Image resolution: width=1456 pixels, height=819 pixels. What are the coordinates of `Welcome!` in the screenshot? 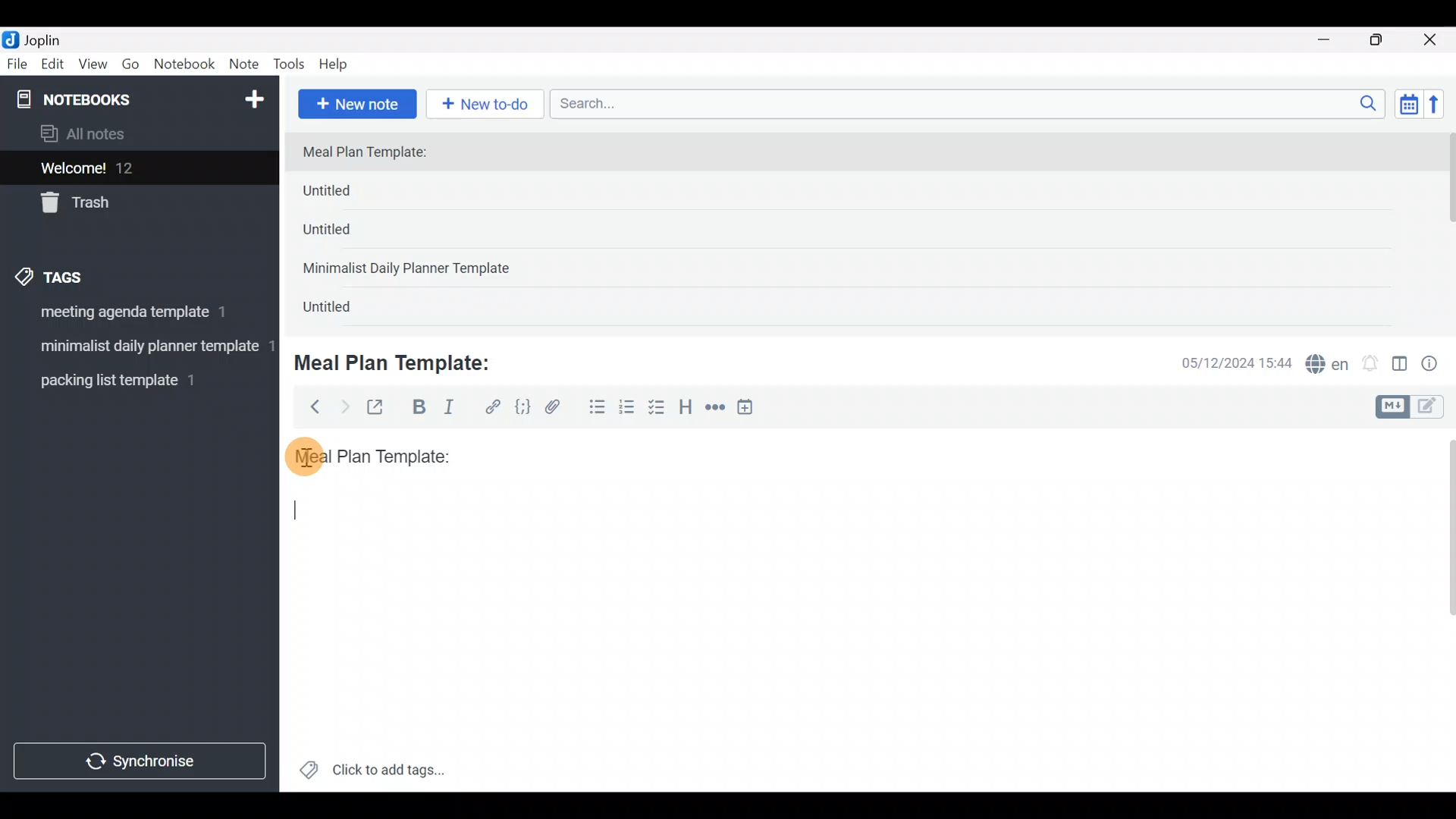 It's located at (137, 169).